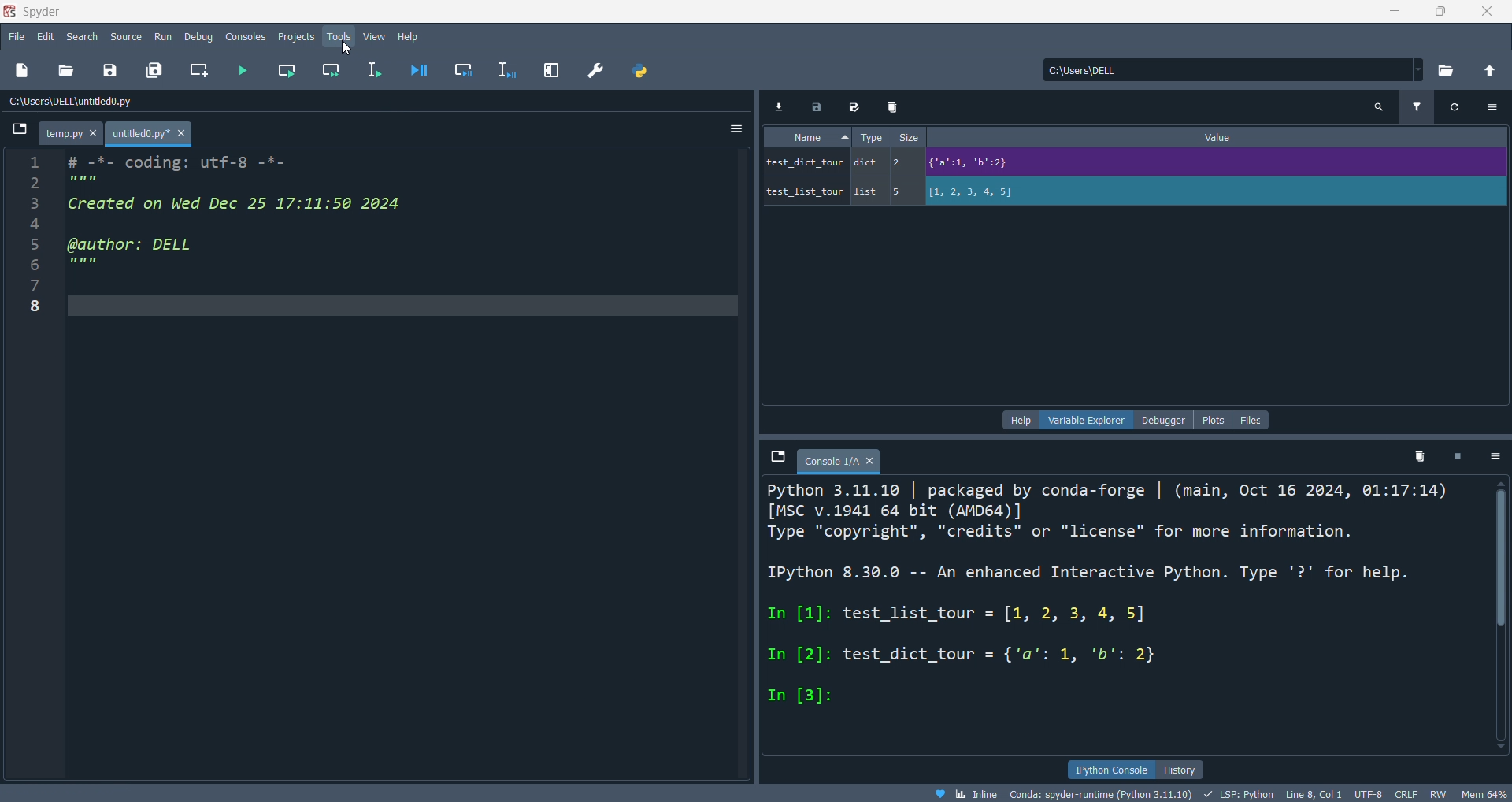  Describe the element at coordinates (126, 36) in the screenshot. I see `source` at that location.